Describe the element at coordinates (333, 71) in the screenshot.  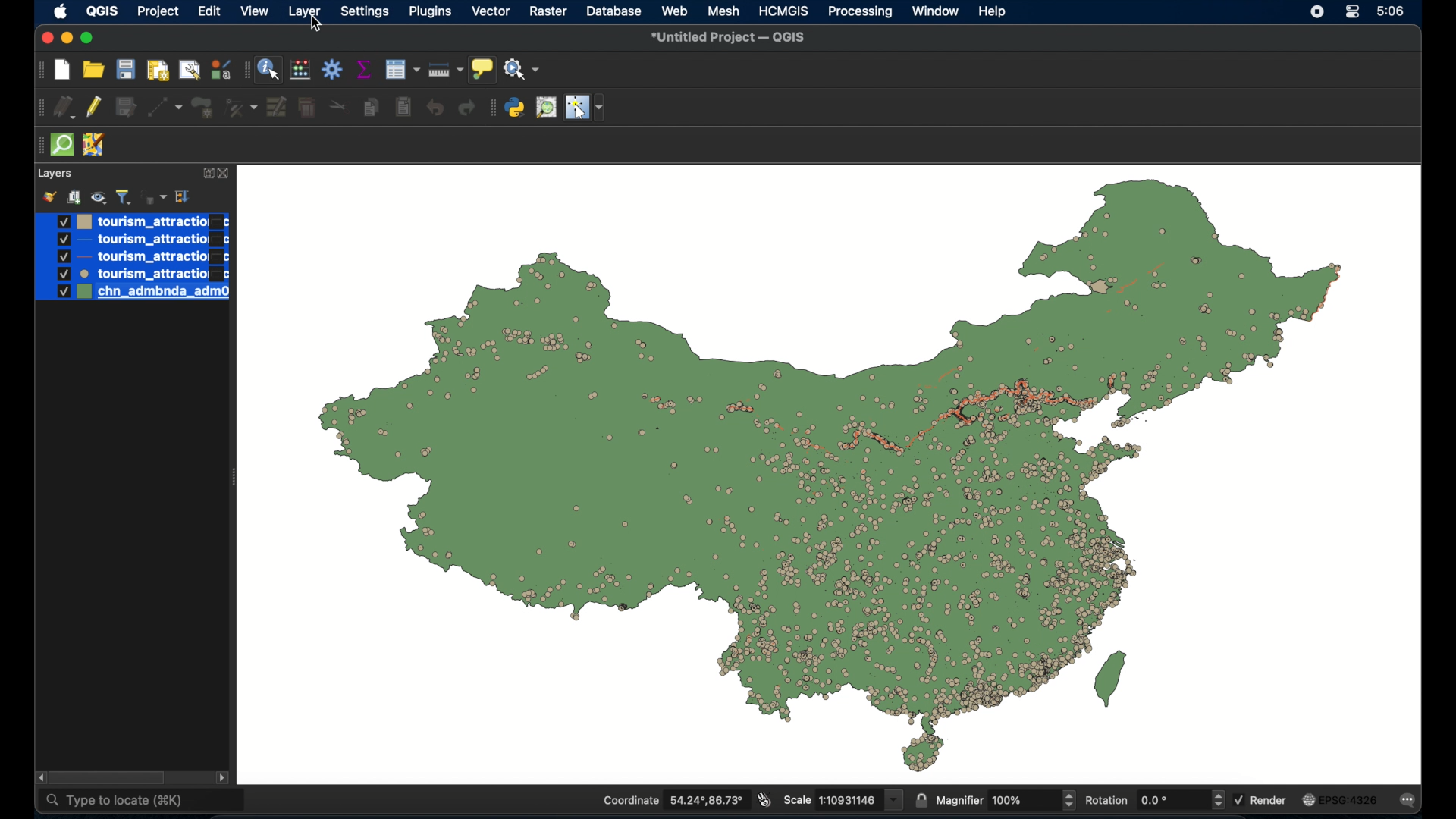
I see `toolbox` at that location.